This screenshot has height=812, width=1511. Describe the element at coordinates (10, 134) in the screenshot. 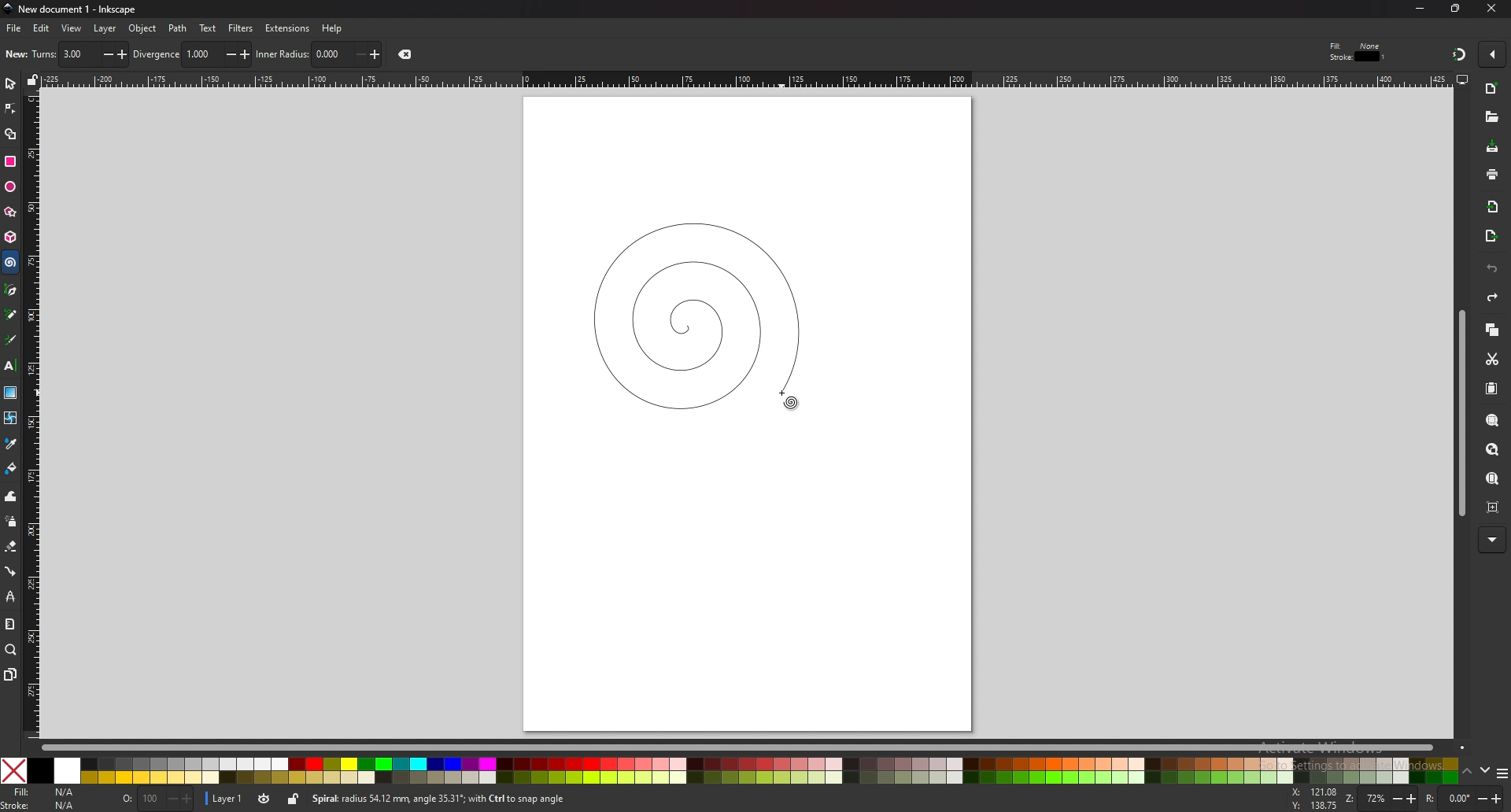

I see `shape builder` at that location.